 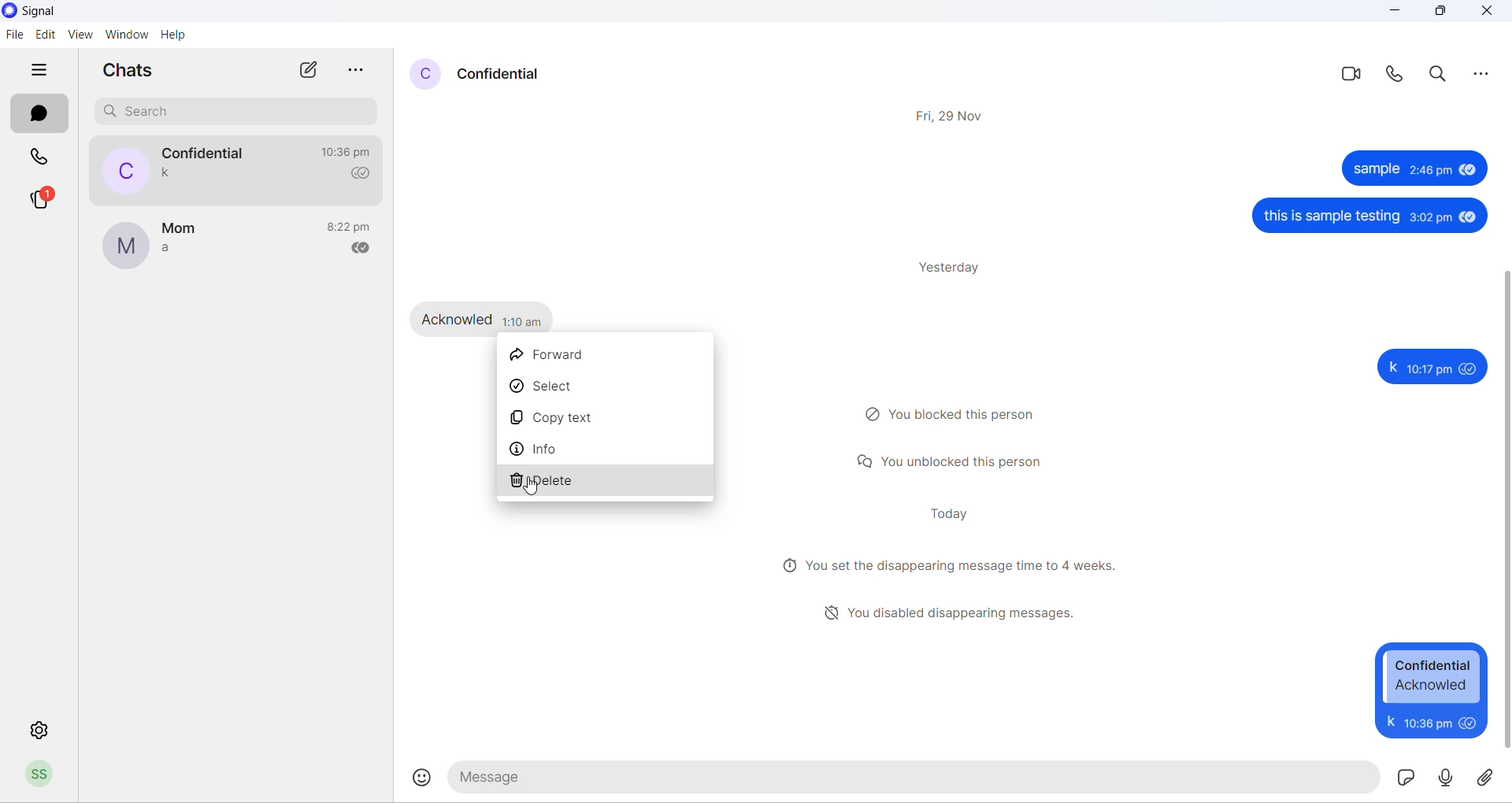 I want to click on application logo and name, so click(x=53, y=12).